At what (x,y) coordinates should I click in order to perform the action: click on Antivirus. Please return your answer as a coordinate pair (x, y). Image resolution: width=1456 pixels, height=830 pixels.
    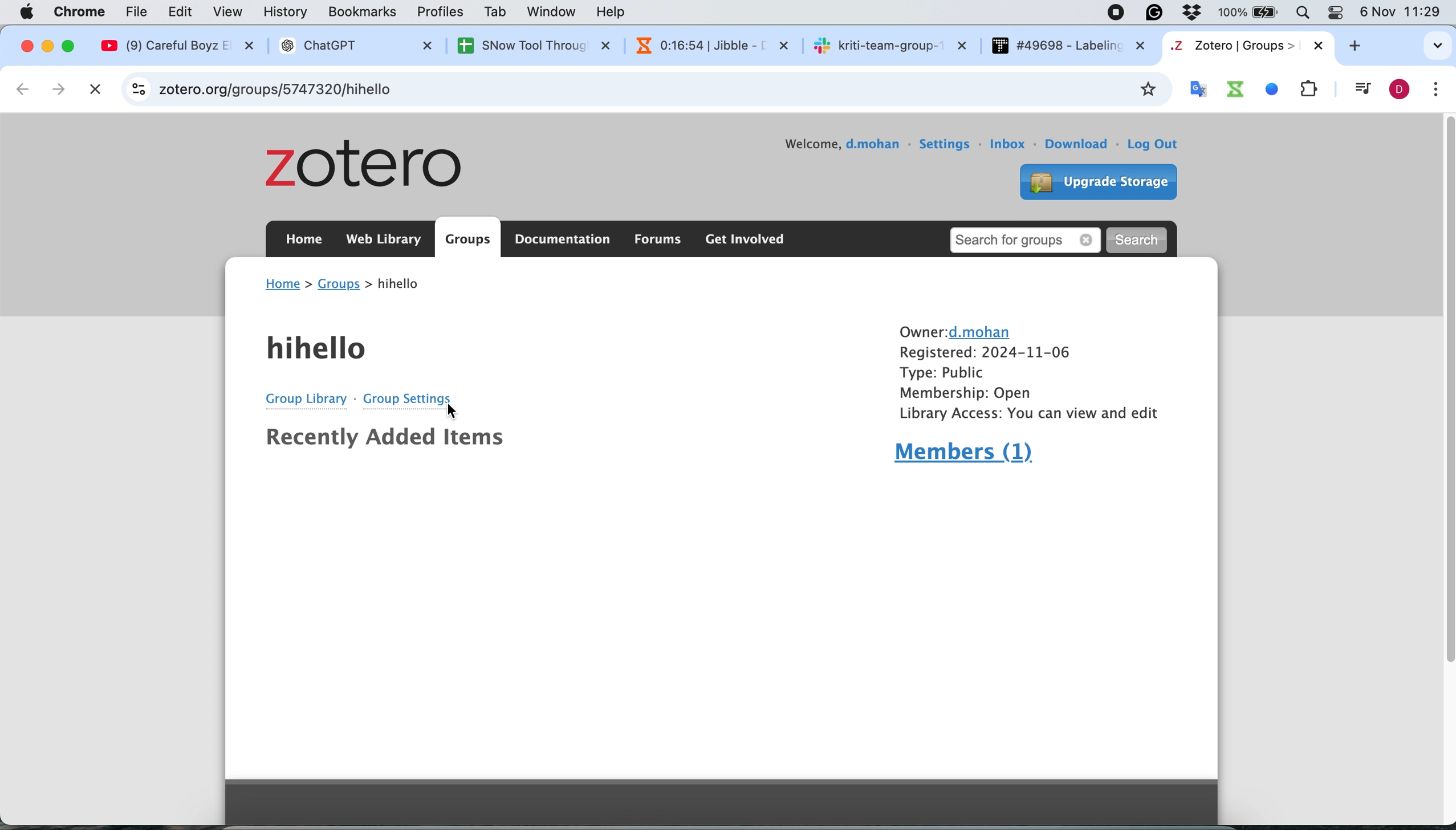
    Looking at the image, I should click on (1197, 11).